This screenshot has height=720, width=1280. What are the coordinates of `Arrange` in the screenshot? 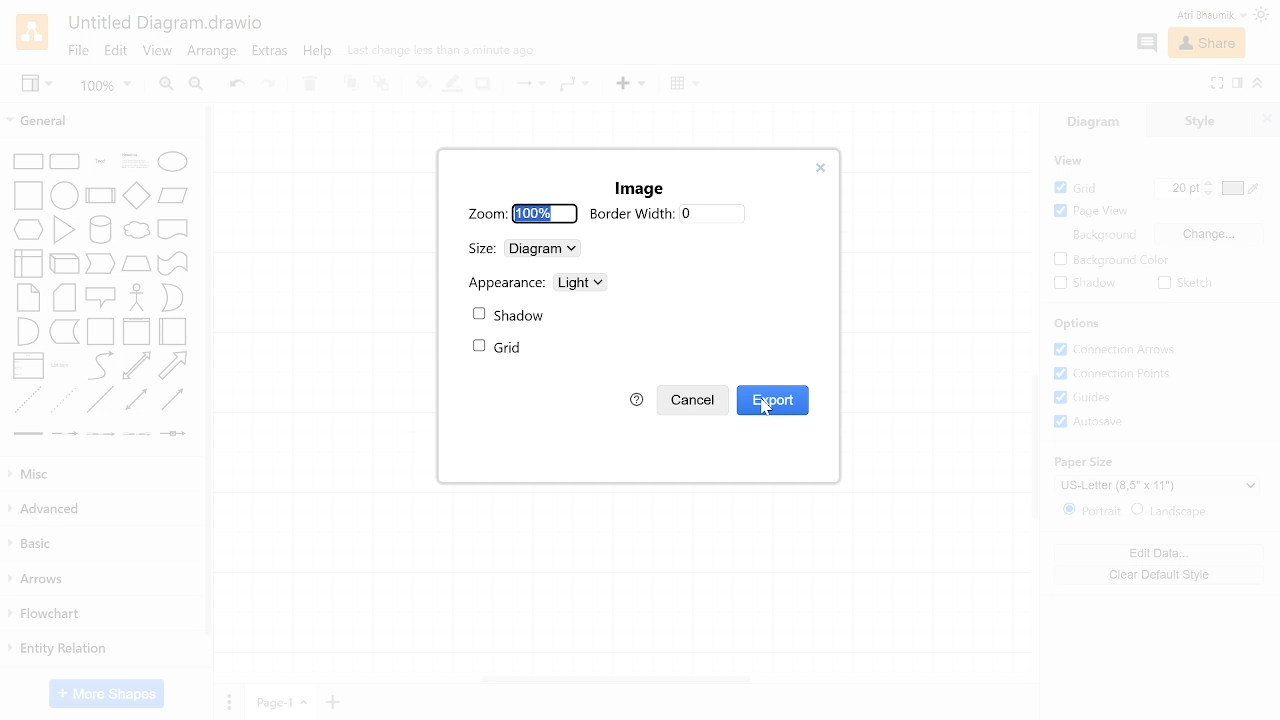 It's located at (214, 52).